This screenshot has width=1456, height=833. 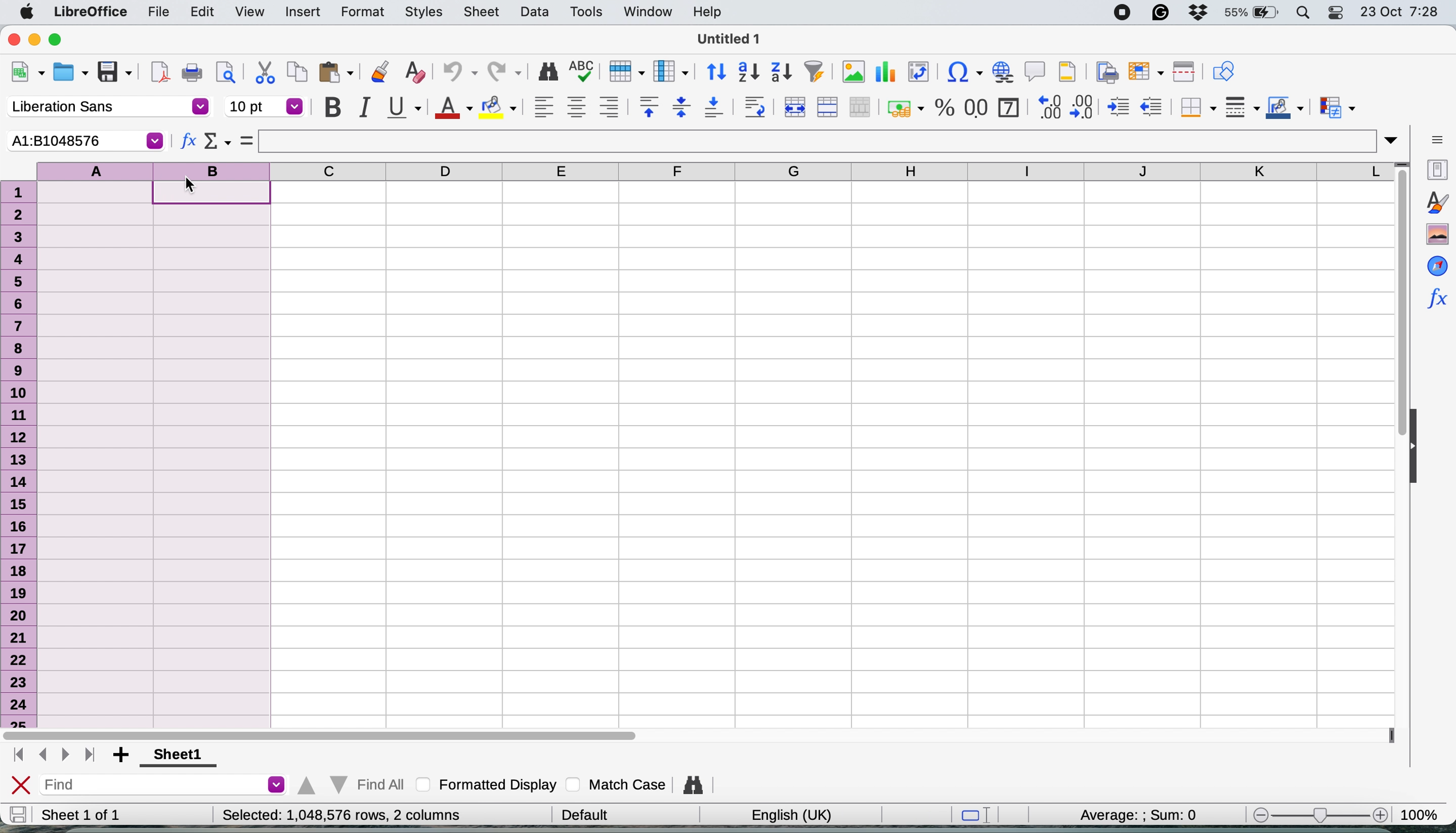 I want to click on horizontal scroll bar, so click(x=326, y=733).